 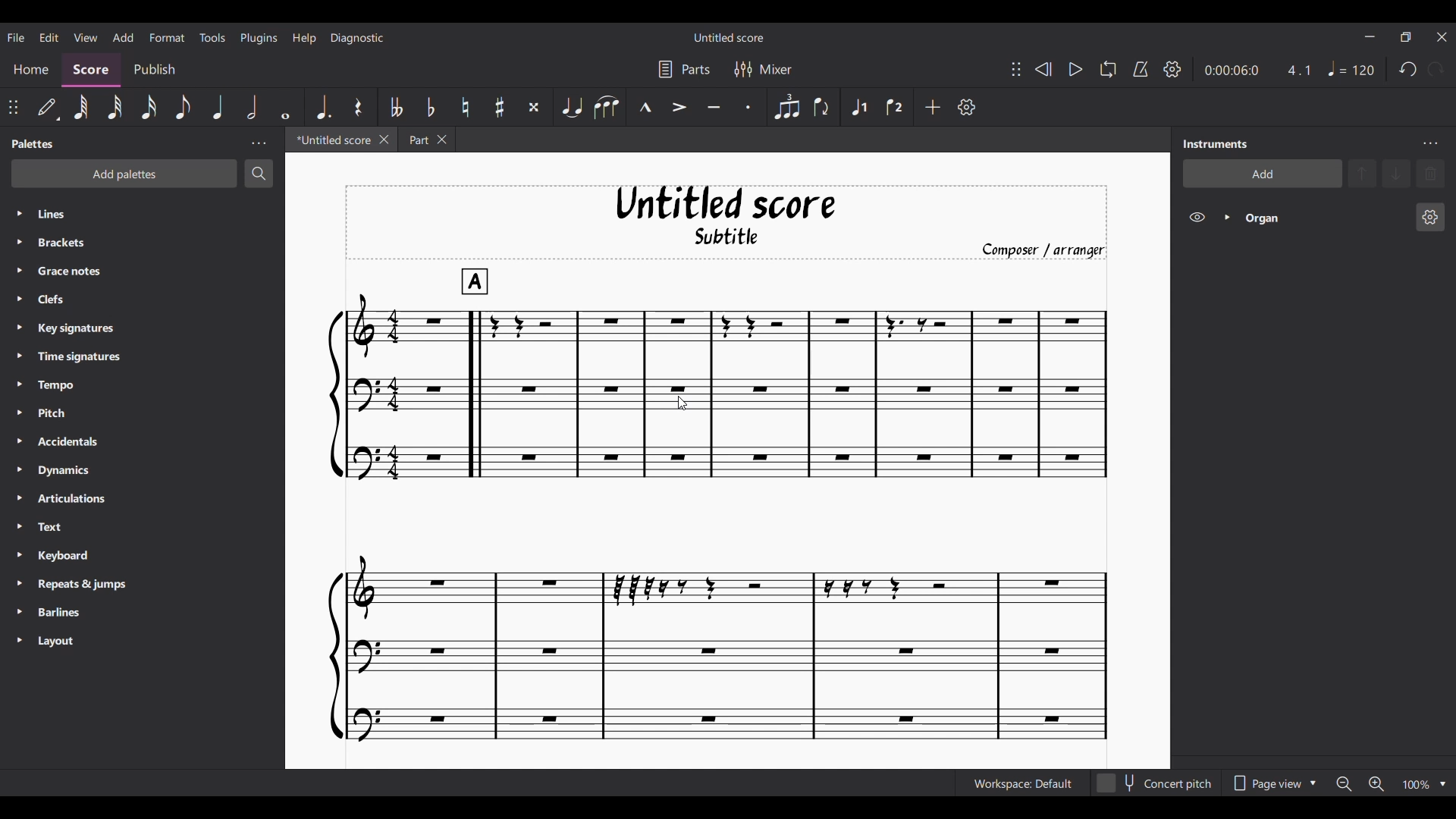 I want to click on View menu, so click(x=86, y=37).